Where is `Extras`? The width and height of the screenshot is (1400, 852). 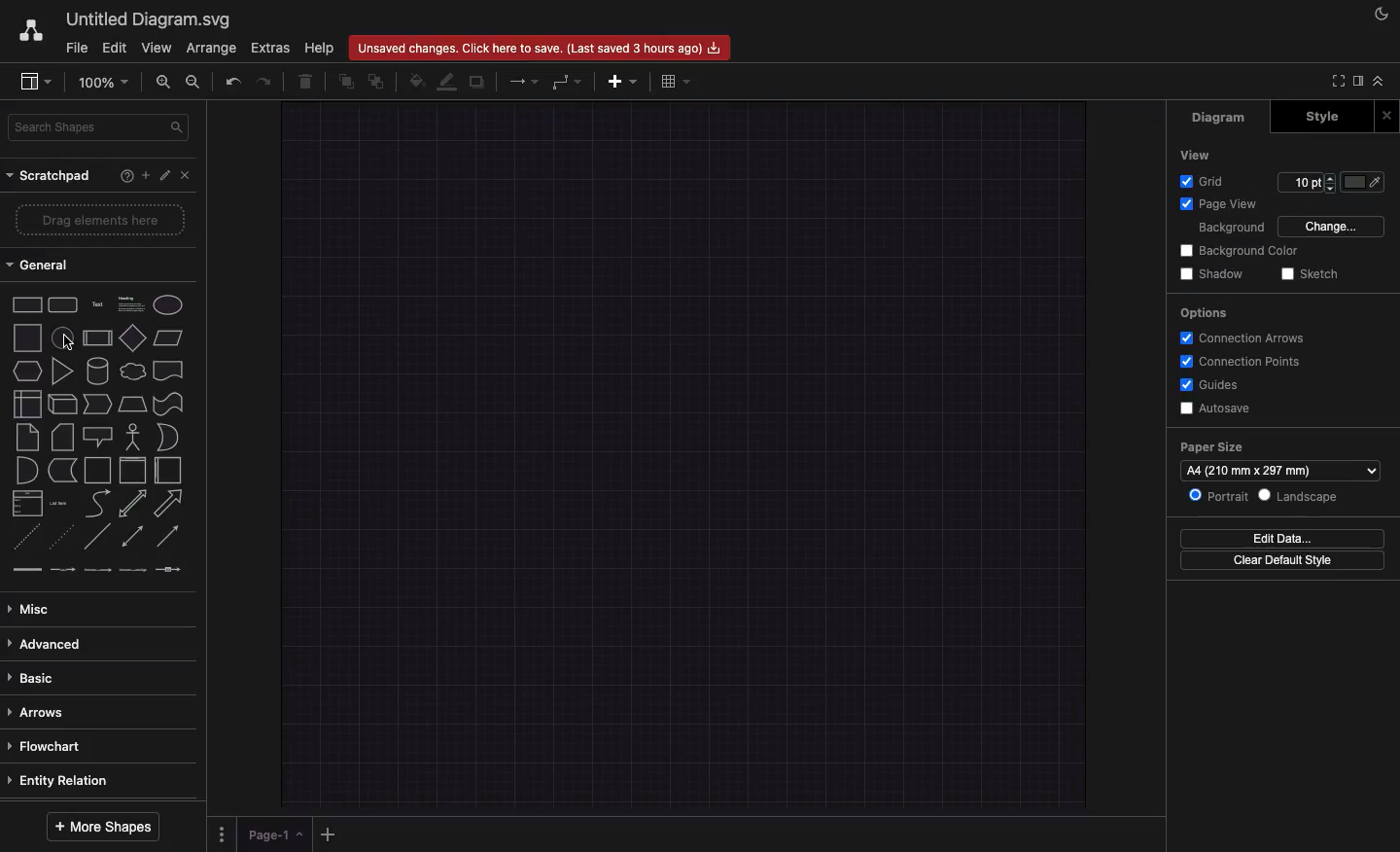
Extras is located at coordinates (270, 49).